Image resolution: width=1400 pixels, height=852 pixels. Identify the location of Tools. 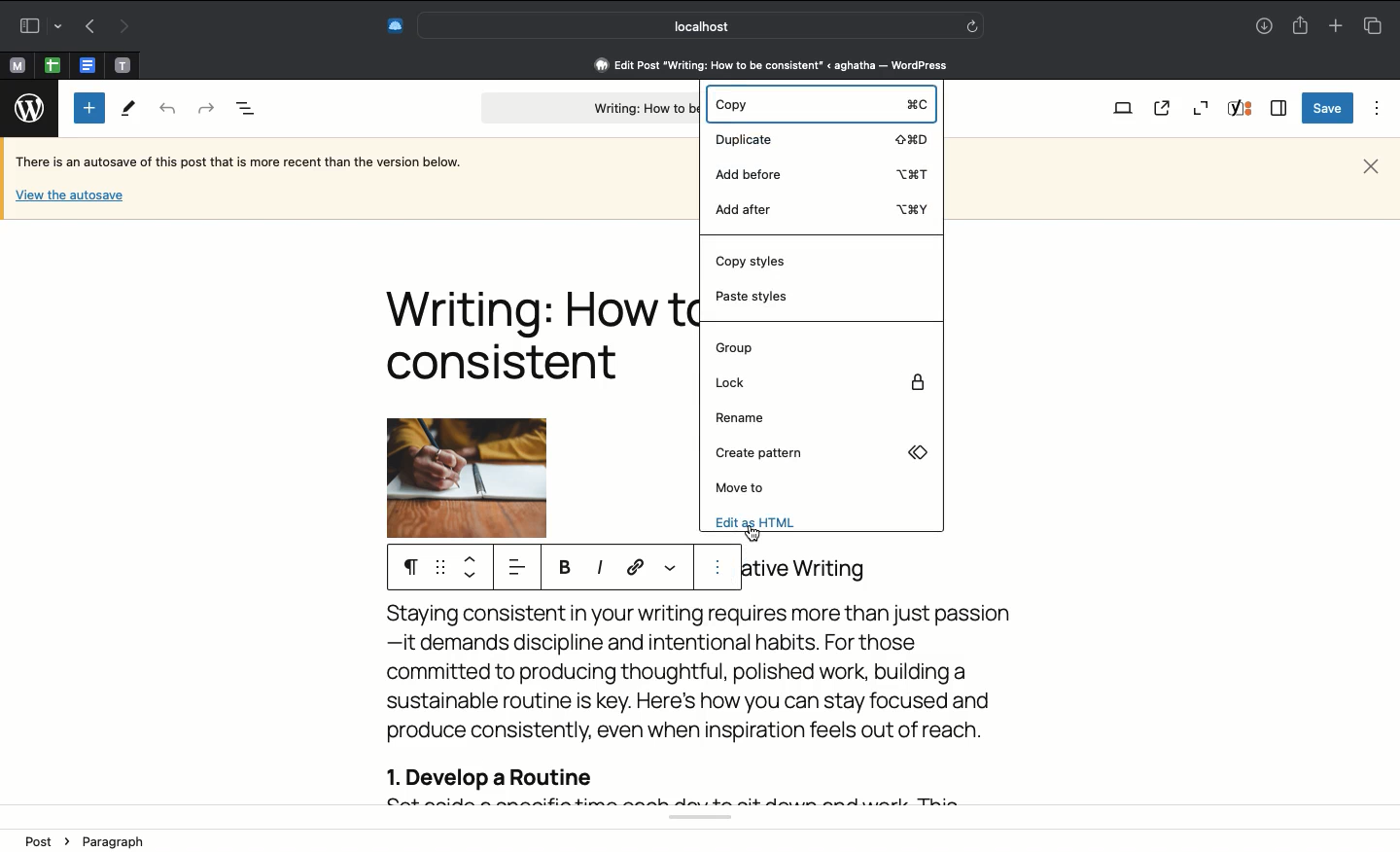
(129, 110).